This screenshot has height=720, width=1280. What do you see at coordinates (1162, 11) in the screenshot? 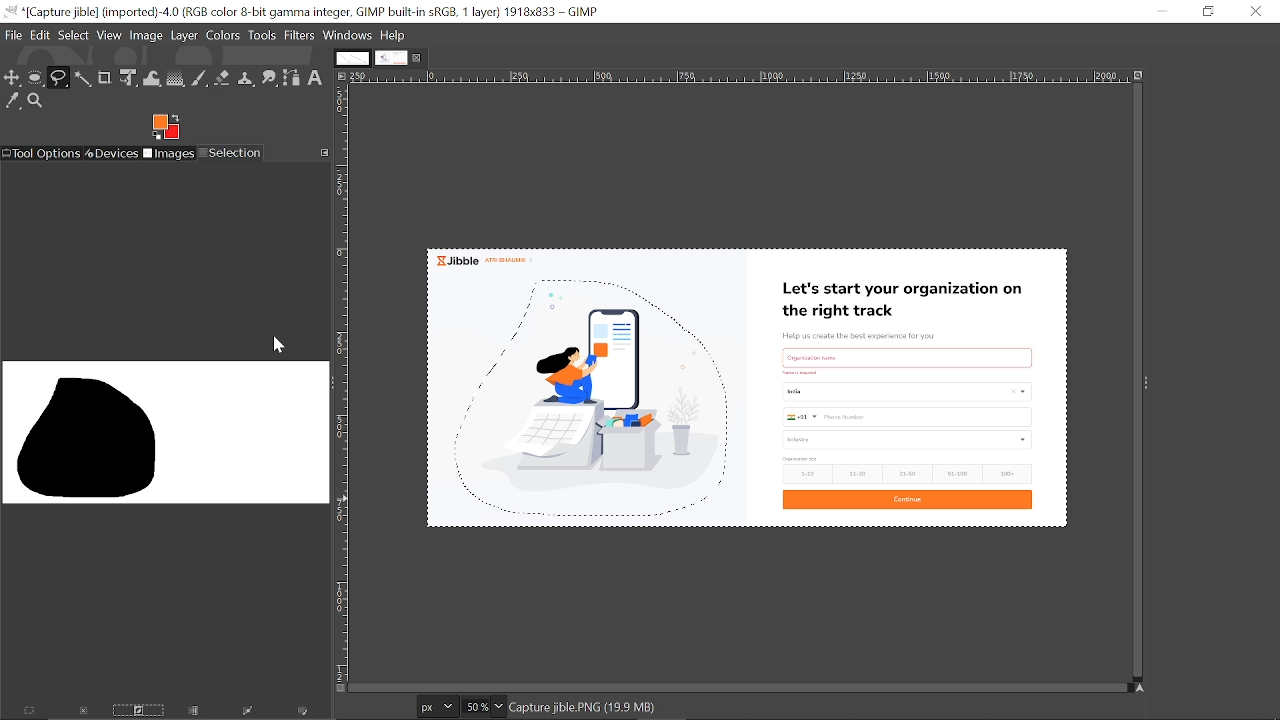
I see `Minimize` at bounding box center [1162, 11].